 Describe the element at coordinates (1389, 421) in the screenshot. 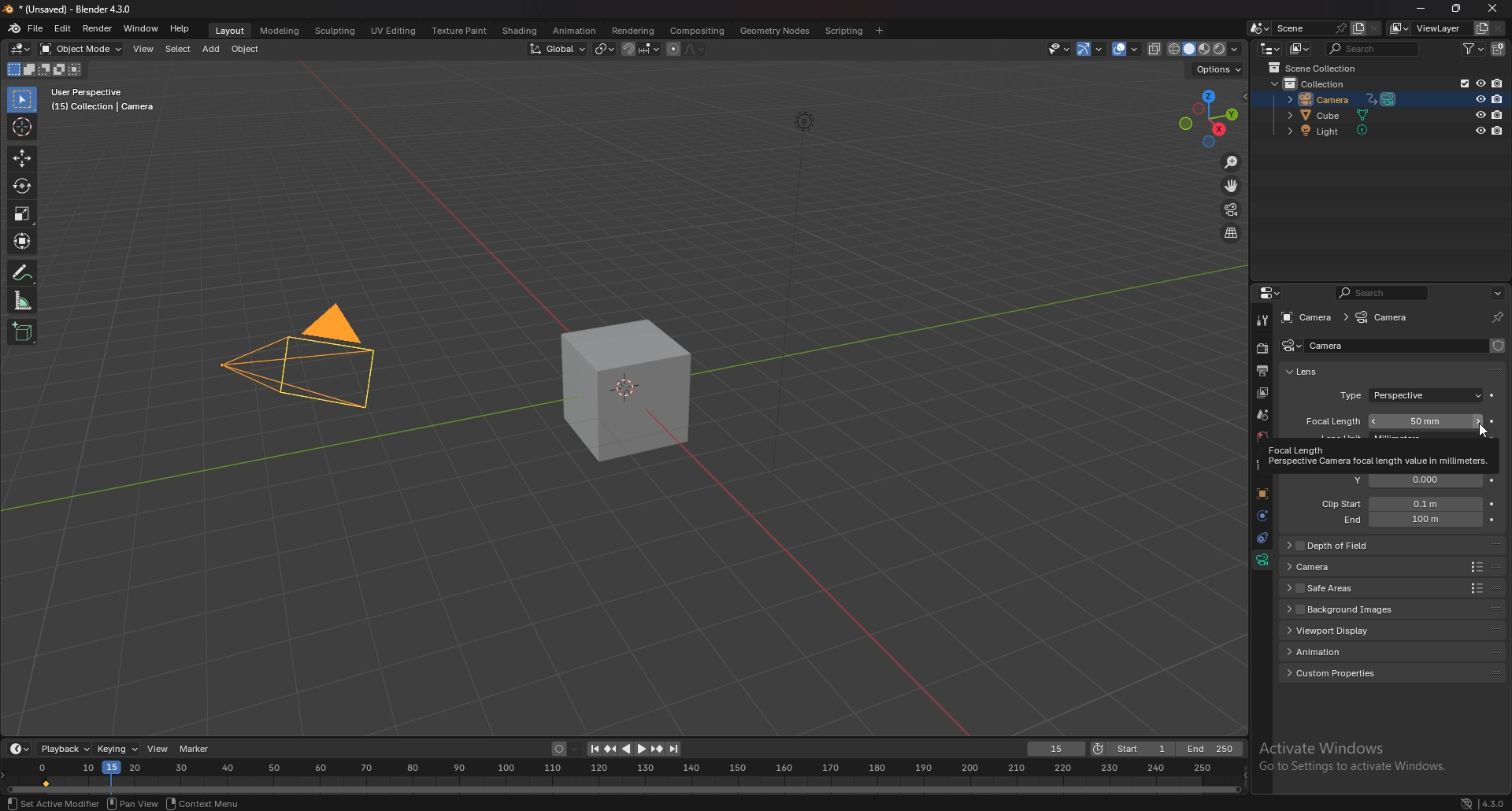

I see `focal length` at that location.